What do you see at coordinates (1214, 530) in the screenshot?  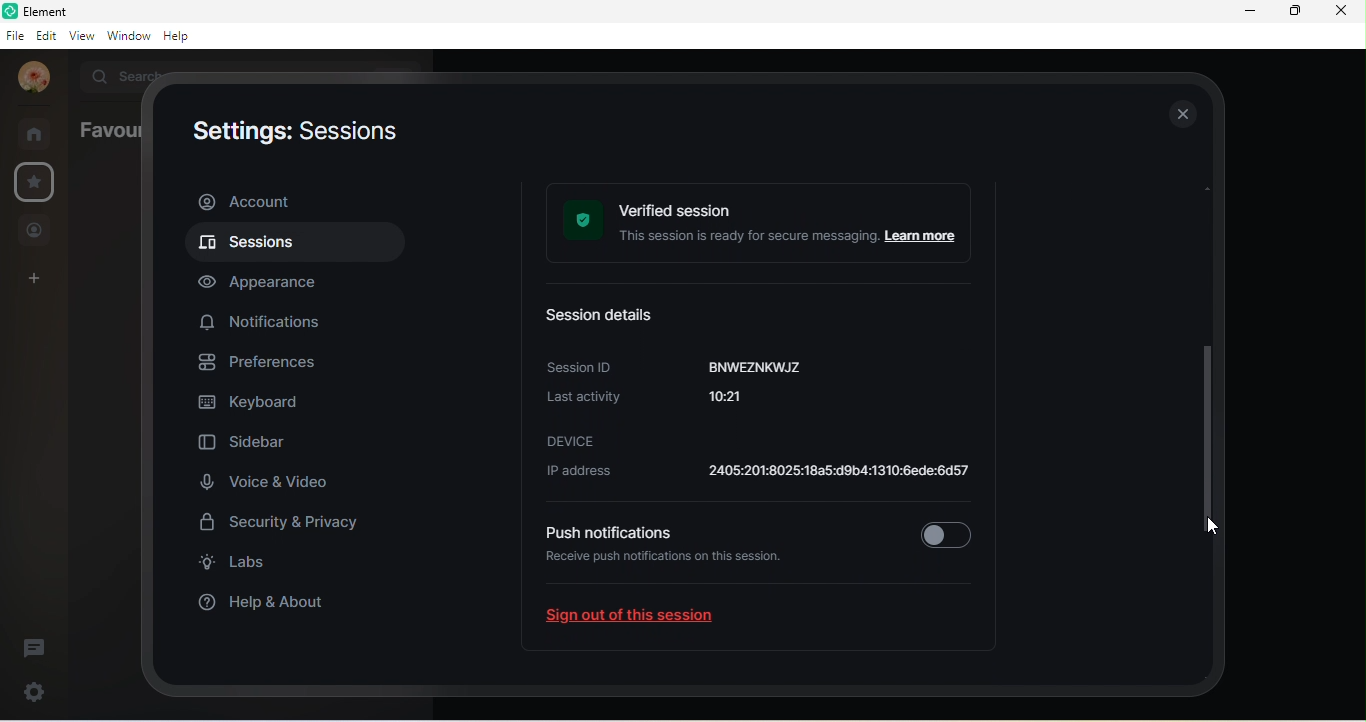 I see `cursor movement` at bounding box center [1214, 530].